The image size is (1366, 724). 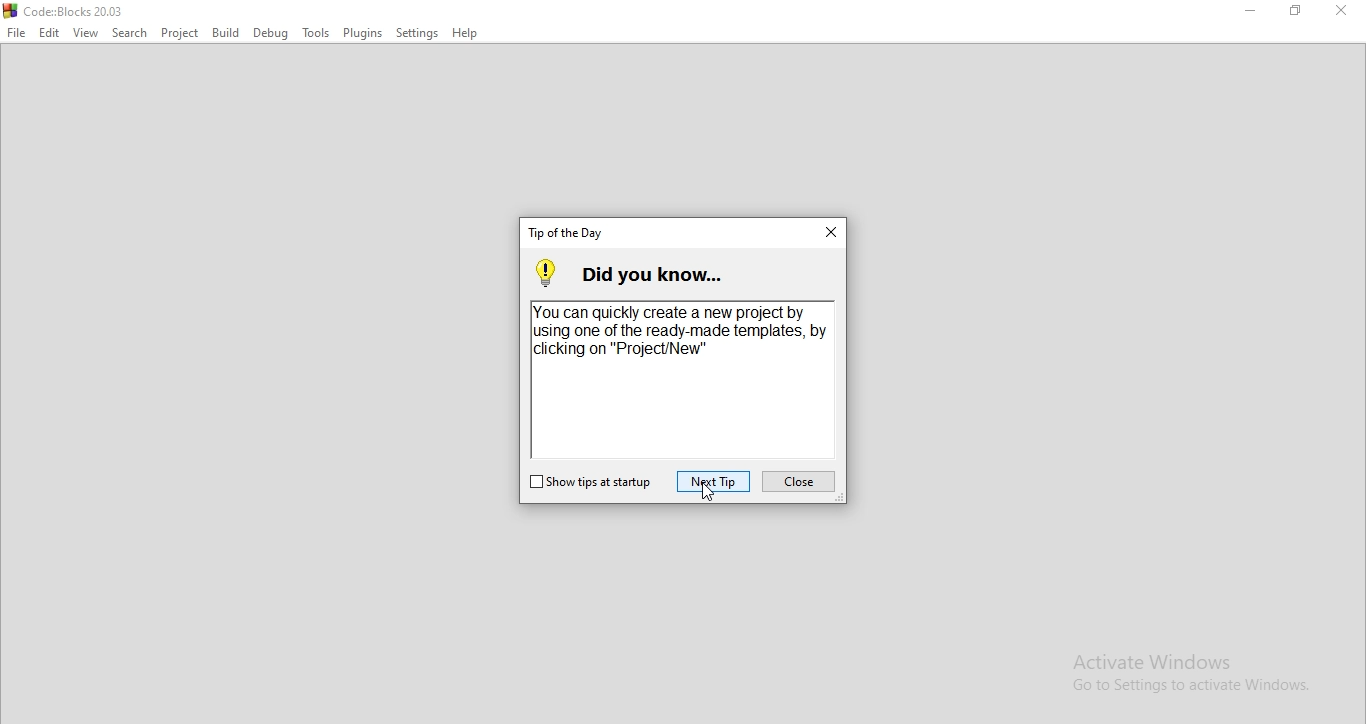 I want to click on View , so click(x=86, y=33).